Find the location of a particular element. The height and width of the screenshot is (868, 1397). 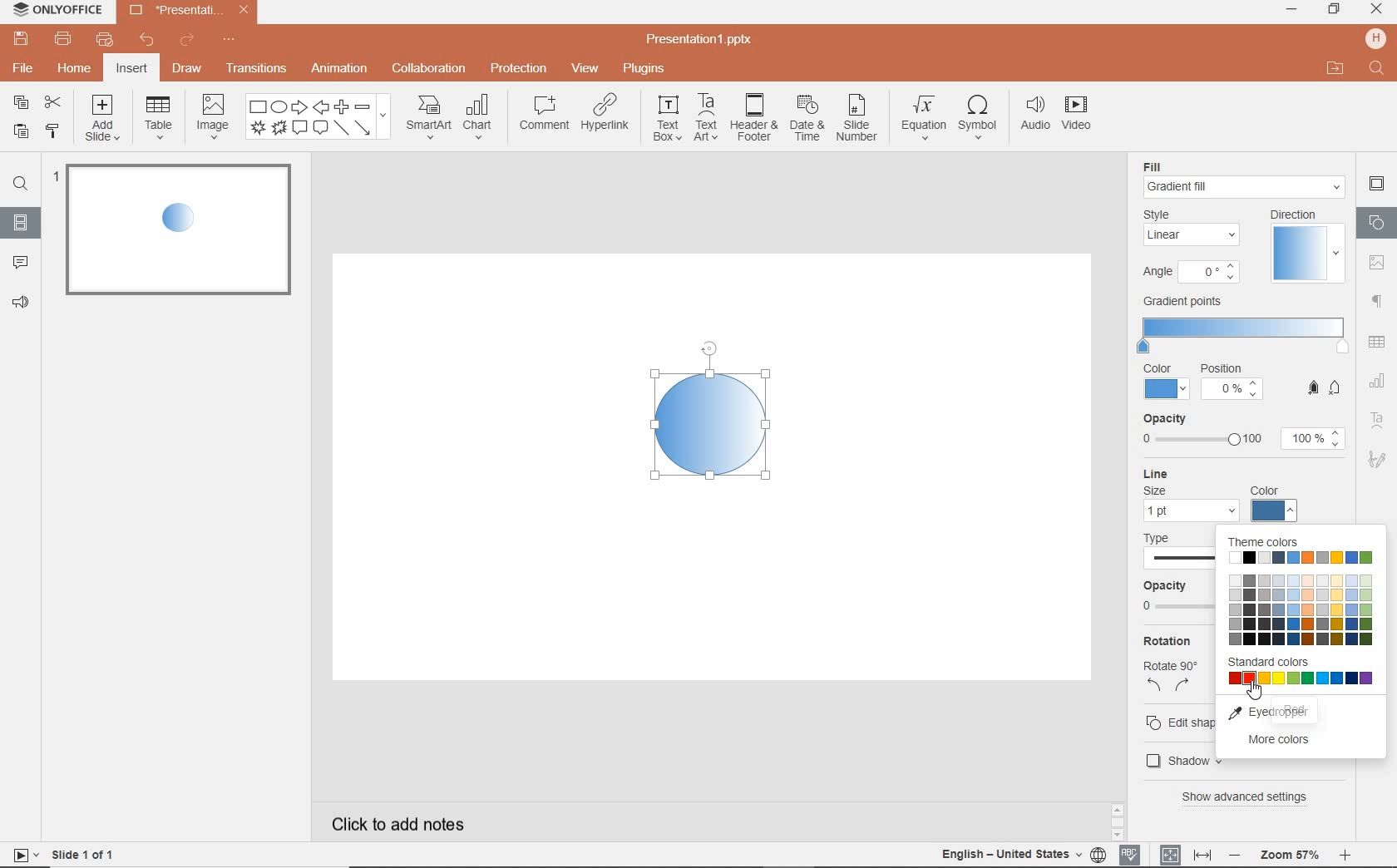

draw is located at coordinates (187, 72).